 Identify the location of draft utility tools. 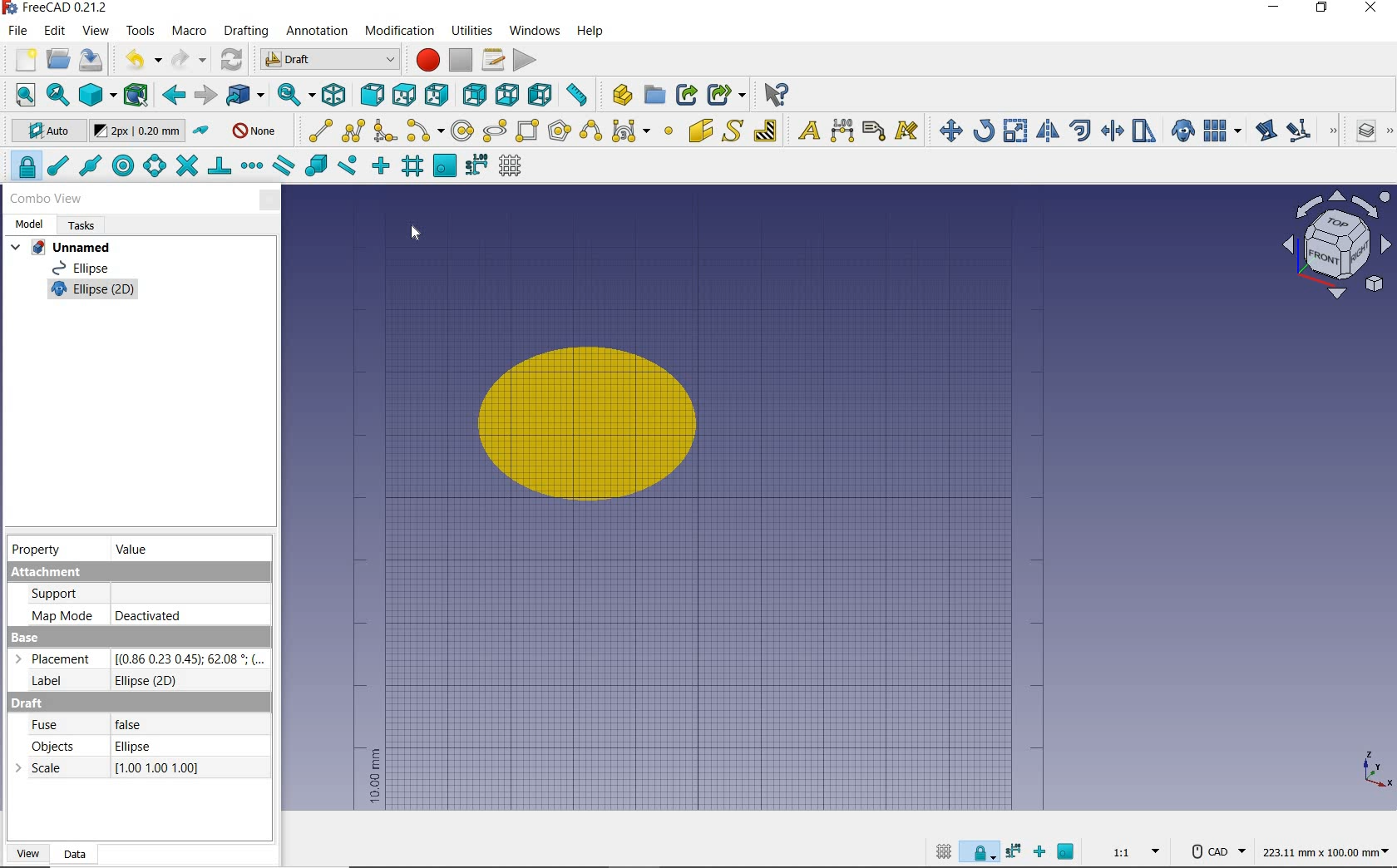
(1390, 133).